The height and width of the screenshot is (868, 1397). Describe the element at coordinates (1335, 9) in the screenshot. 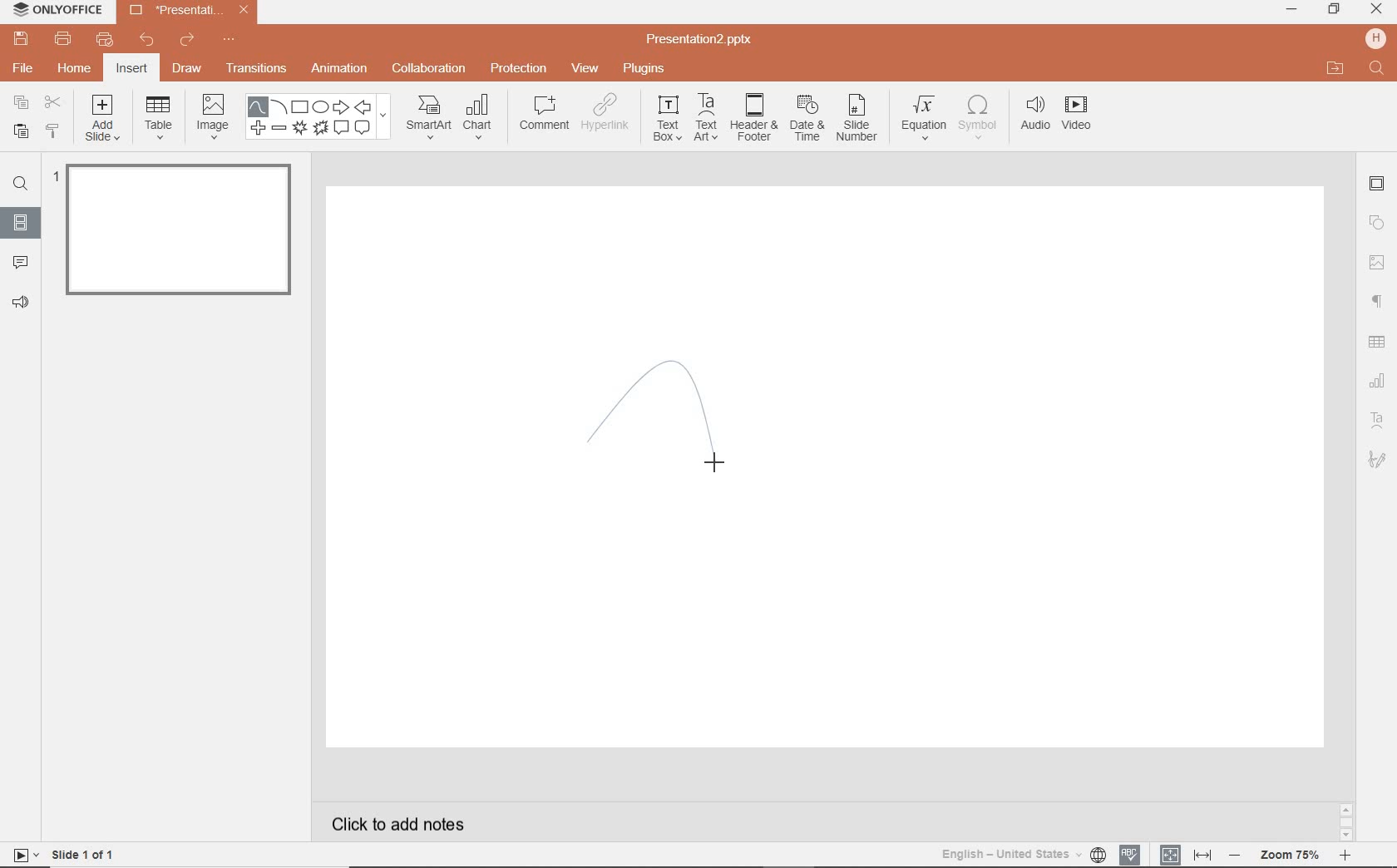

I see `RESTORE` at that location.